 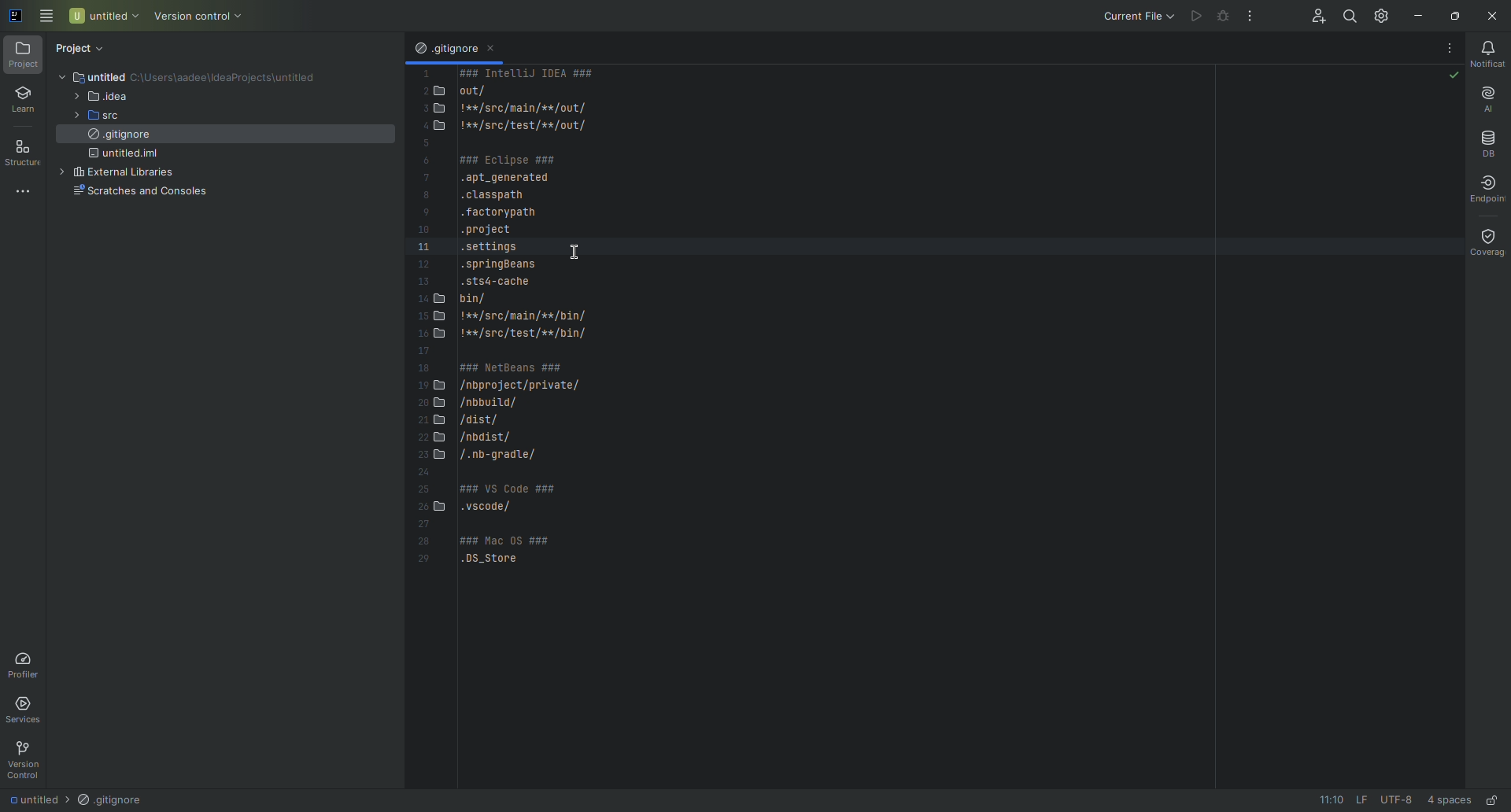 I want to click on Play, so click(x=1192, y=13).